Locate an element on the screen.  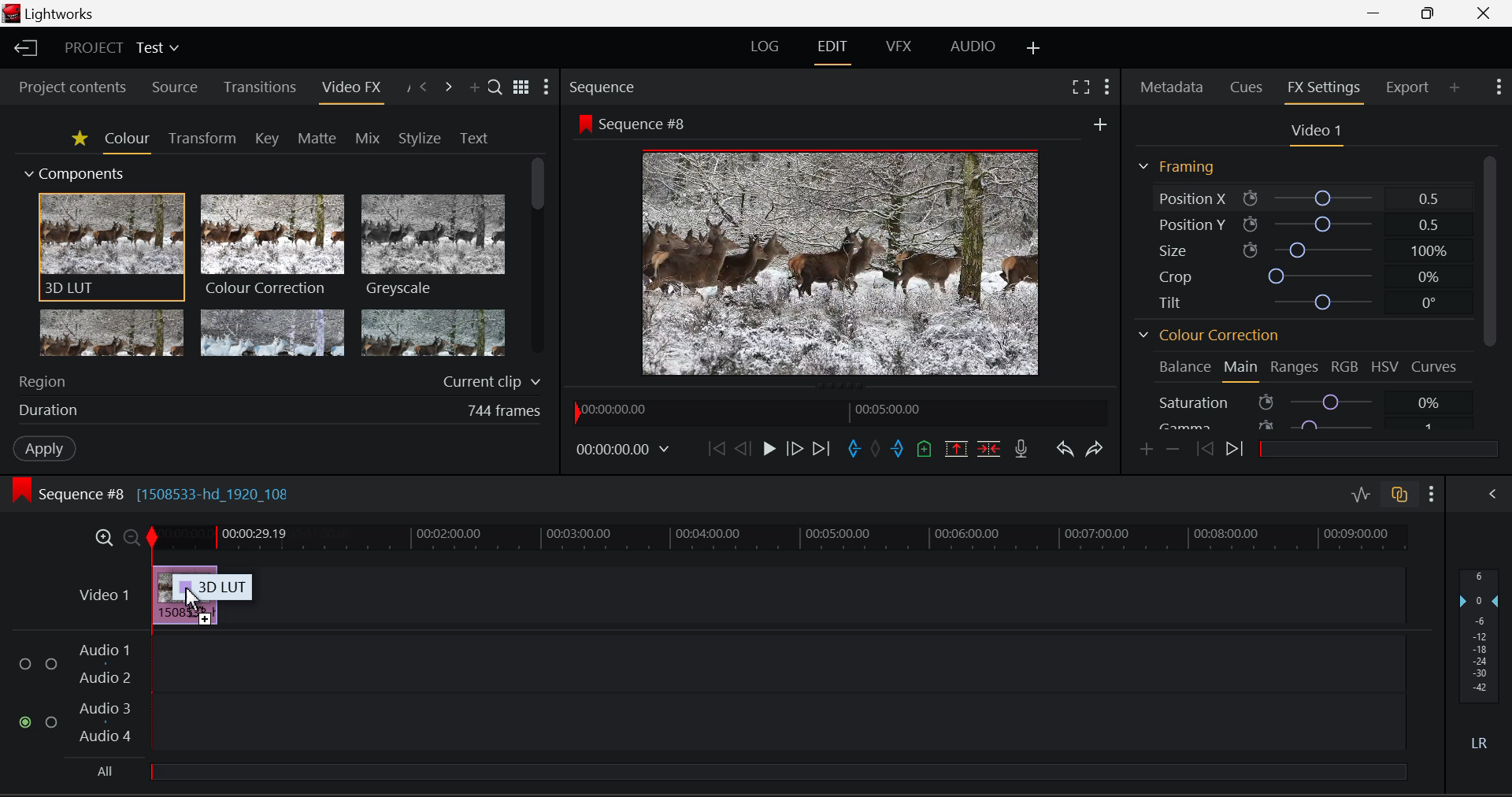
Back to Homepage is located at coordinates (22, 48).